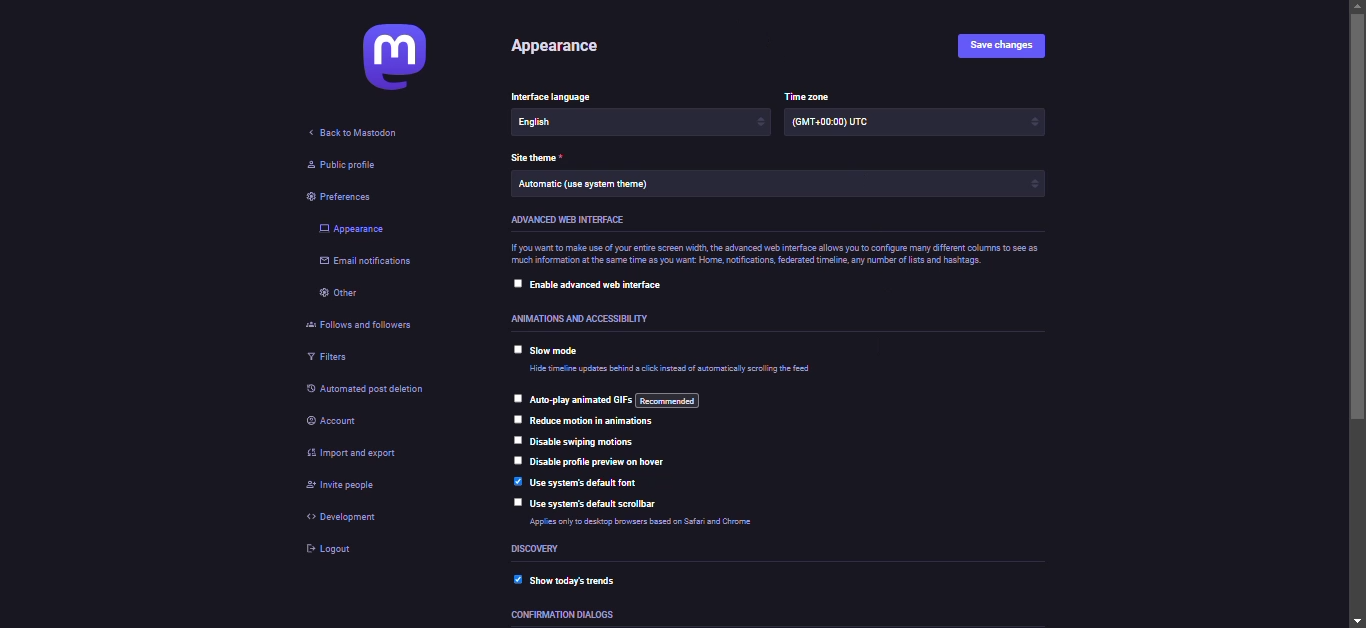 The image size is (1366, 628). I want to click on click to select, so click(517, 398).